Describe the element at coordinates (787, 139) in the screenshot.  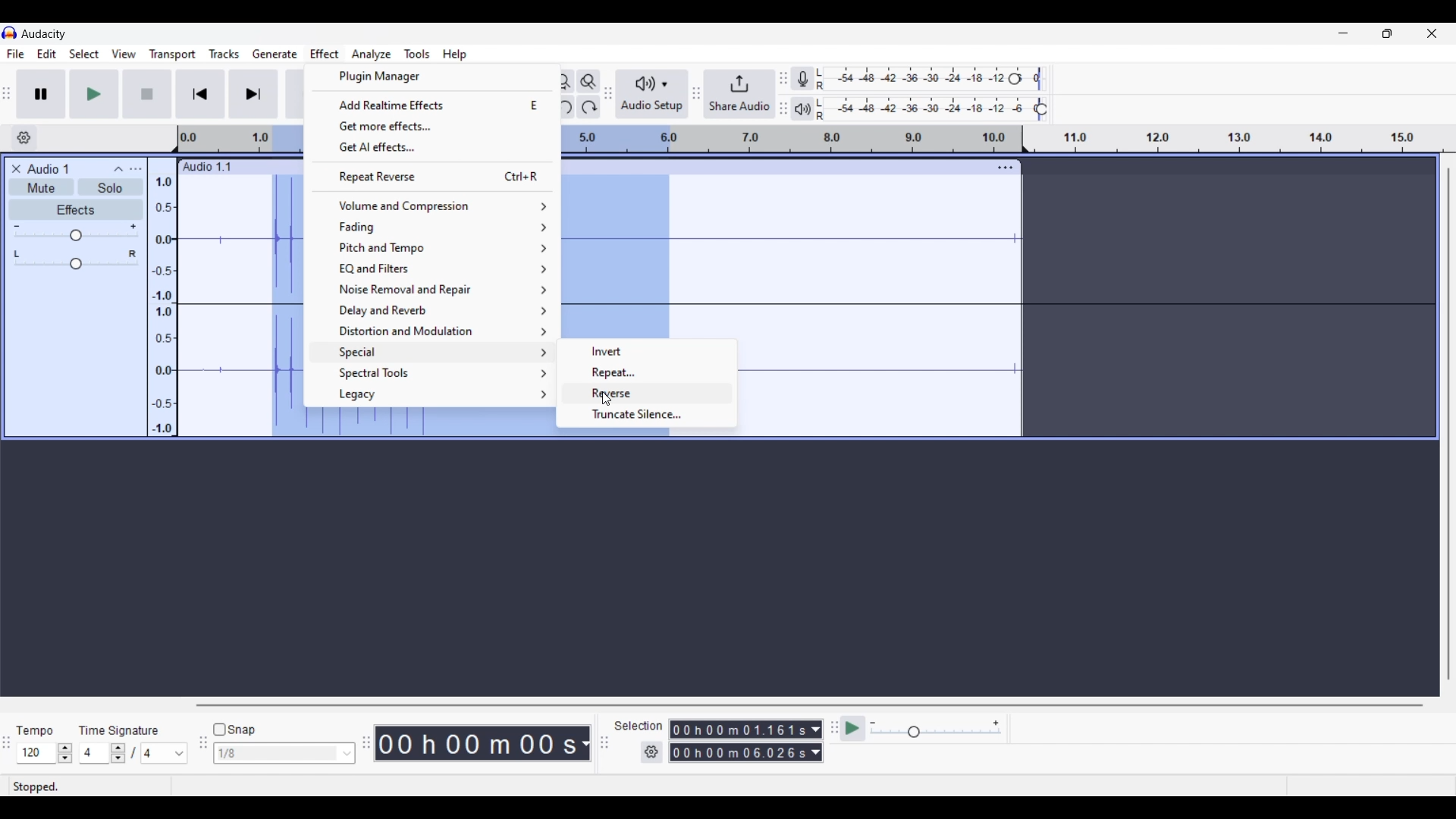
I see `Scale` at that location.